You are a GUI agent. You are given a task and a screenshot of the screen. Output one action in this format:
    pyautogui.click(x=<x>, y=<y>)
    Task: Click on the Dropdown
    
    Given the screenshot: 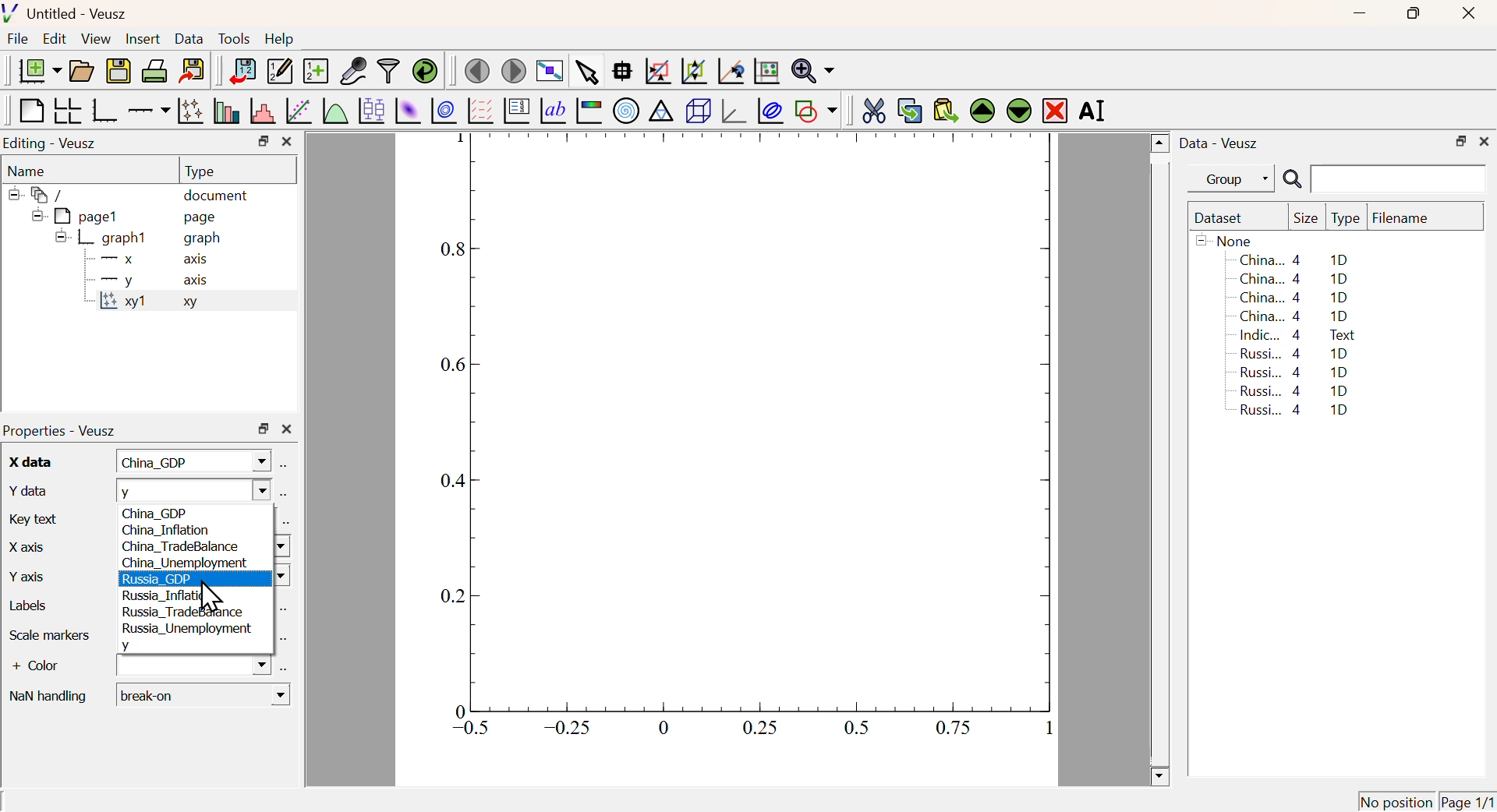 What is the action you would take?
    pyautogui.click(x=194, y=665)
    